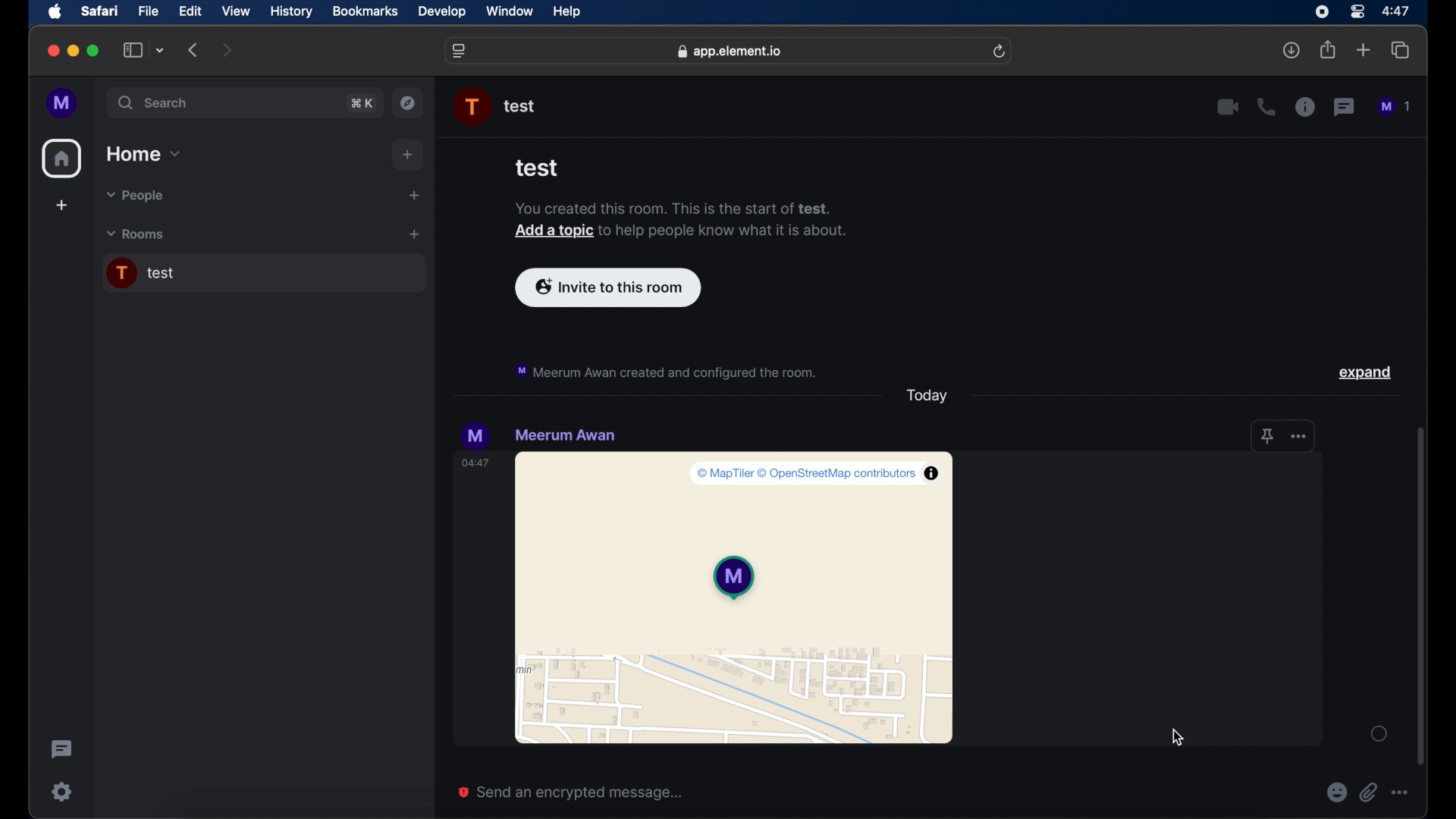 This screenshot has height=819, width=1456. I want to click on website settings, so click(460, 51).